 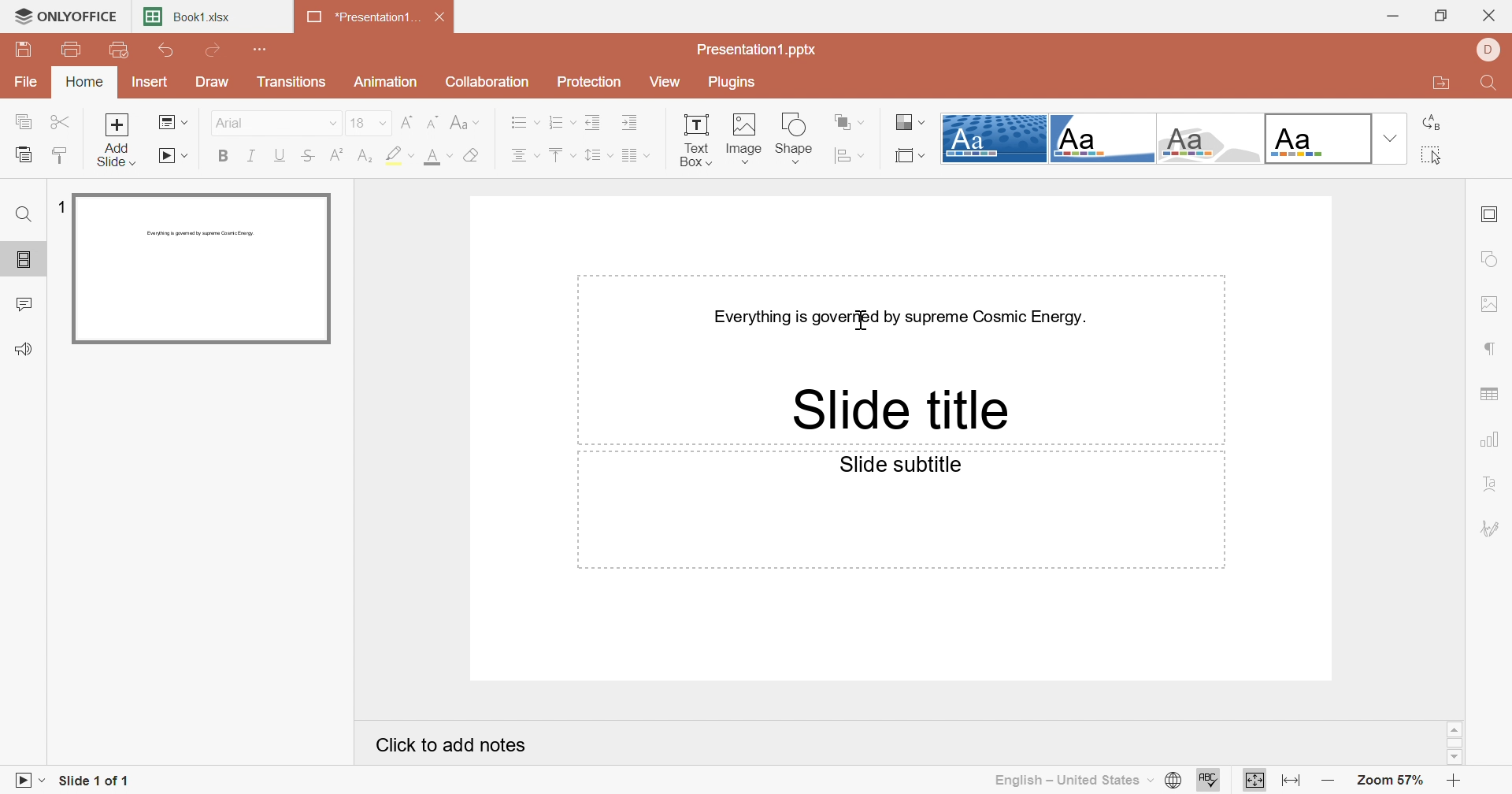 I want to click on Print, so click(x=72, y=50).